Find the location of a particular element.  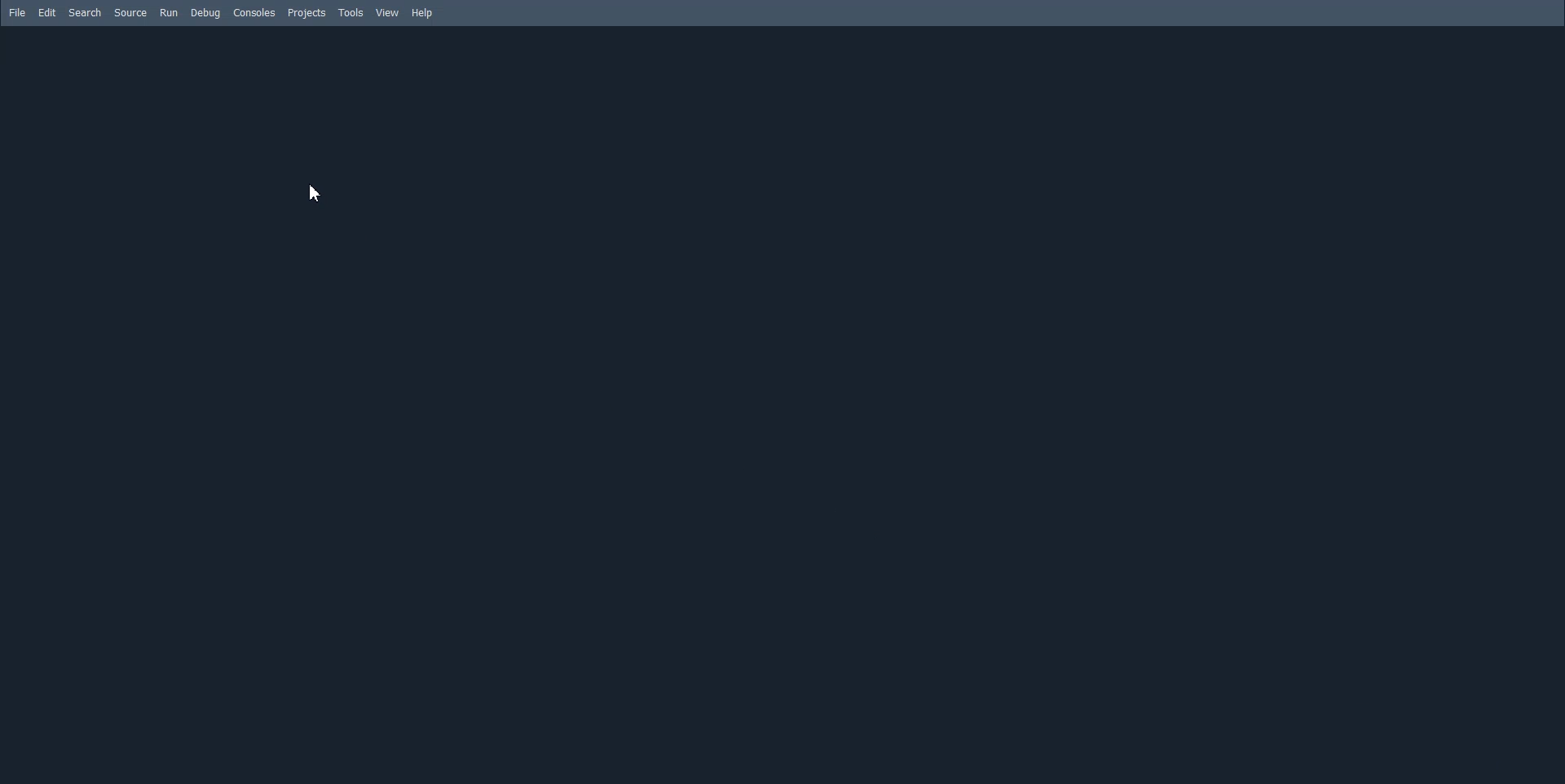

Help is located at coordinates (422, 13).